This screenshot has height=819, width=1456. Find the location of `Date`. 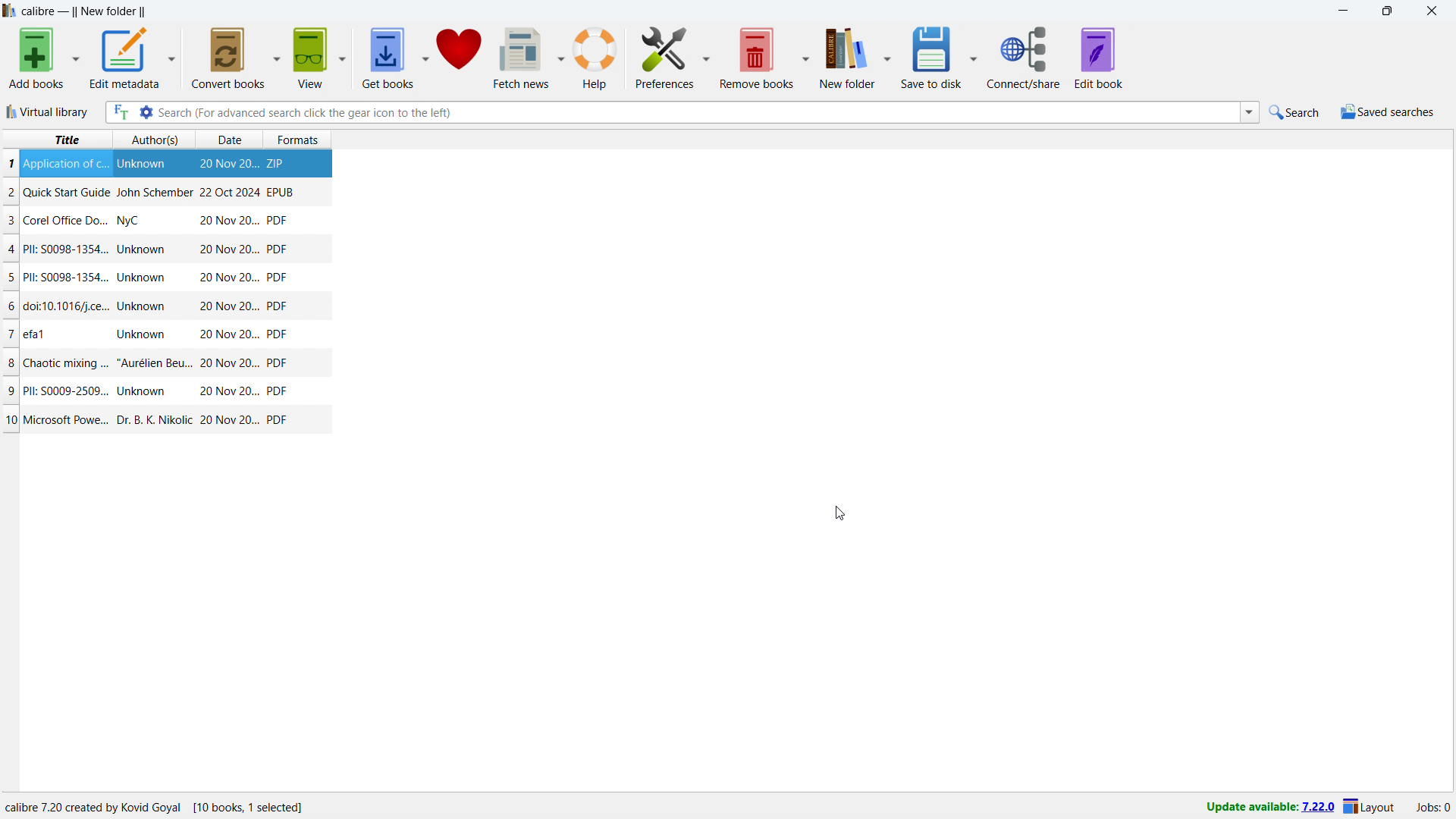

Date is located at coordinates (229, 278).